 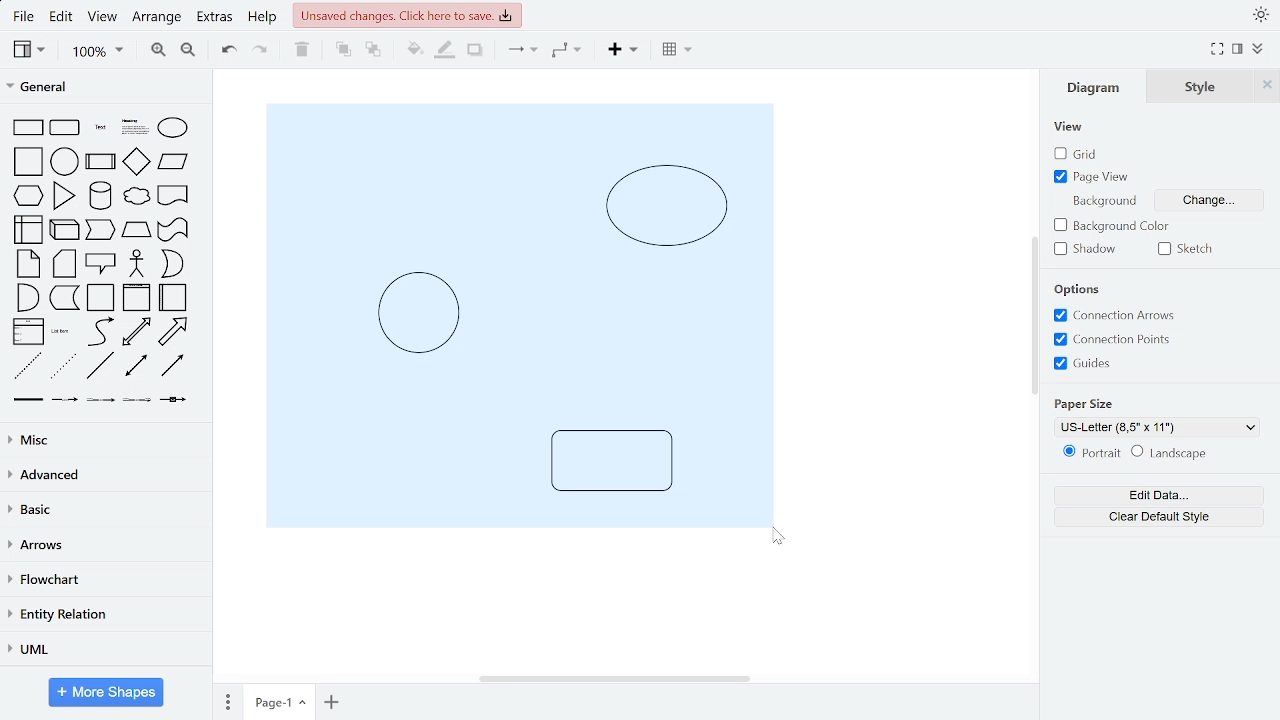 I want to click on redo, so click(x=261, y=52).